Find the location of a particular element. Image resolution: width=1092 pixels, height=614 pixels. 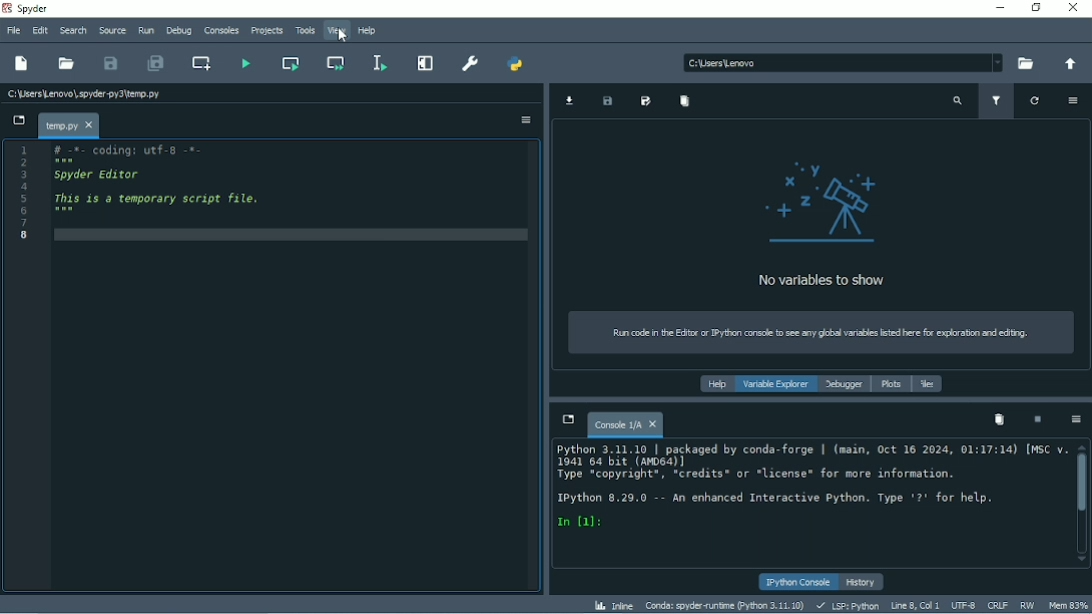

Tools is located at coordinates (304, 30).